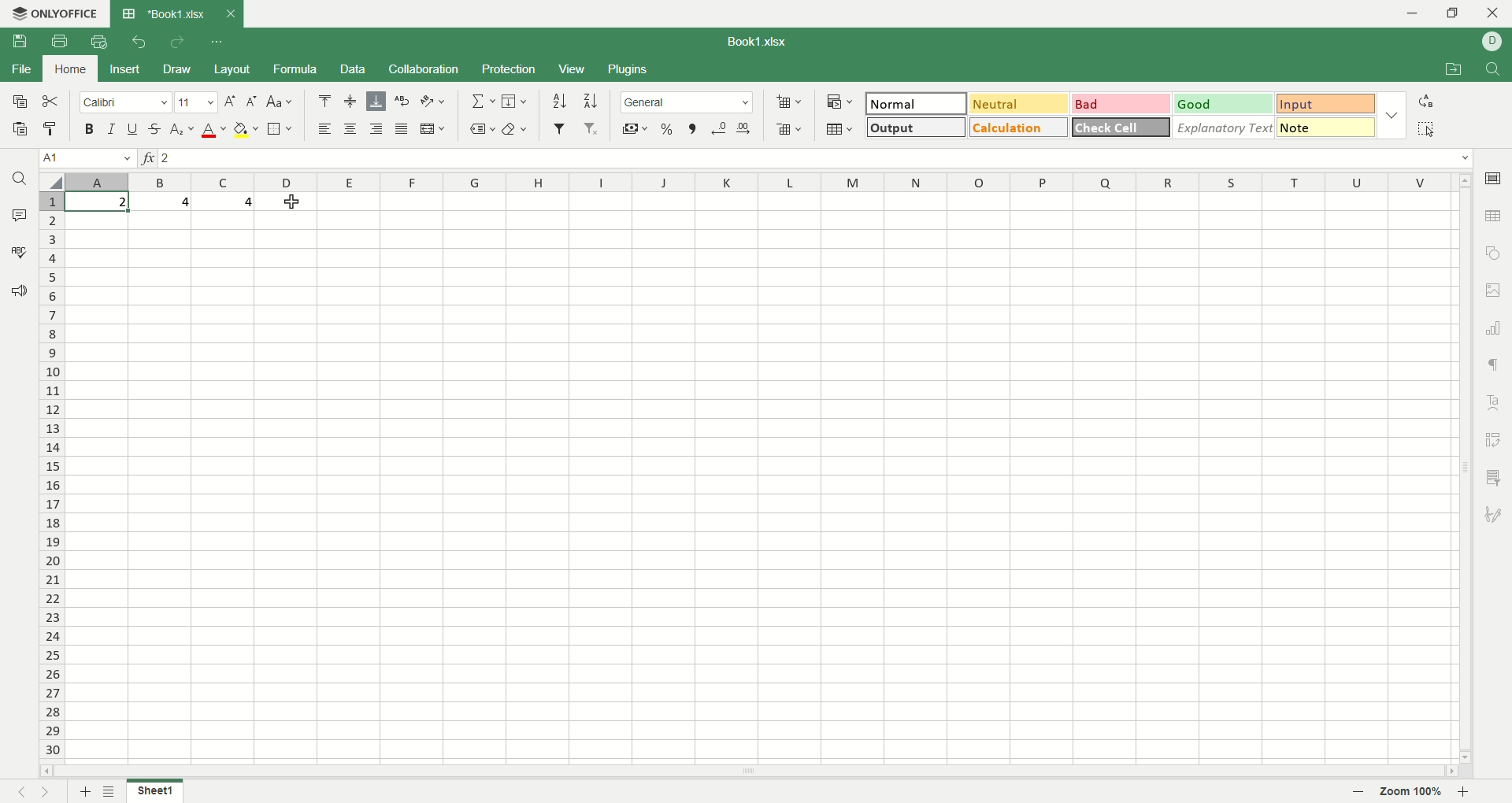  What do you see at coordinates (1121, 104) in the screenshot?
I see `bad` at bounding box center [1121, 104].